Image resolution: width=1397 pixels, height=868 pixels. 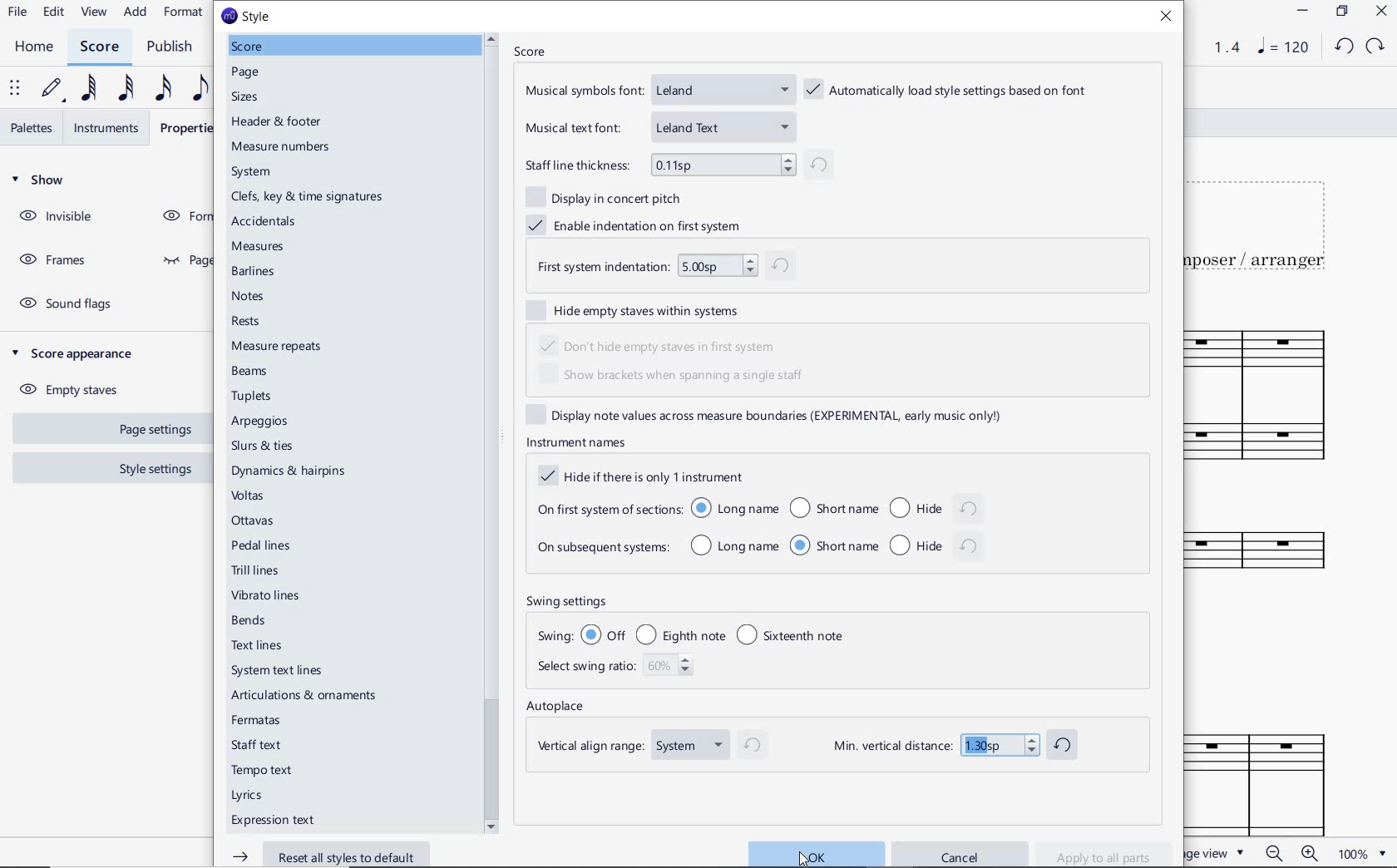 I want to click on MUSICAL TEXT FONT, so click(x=658, y=126).